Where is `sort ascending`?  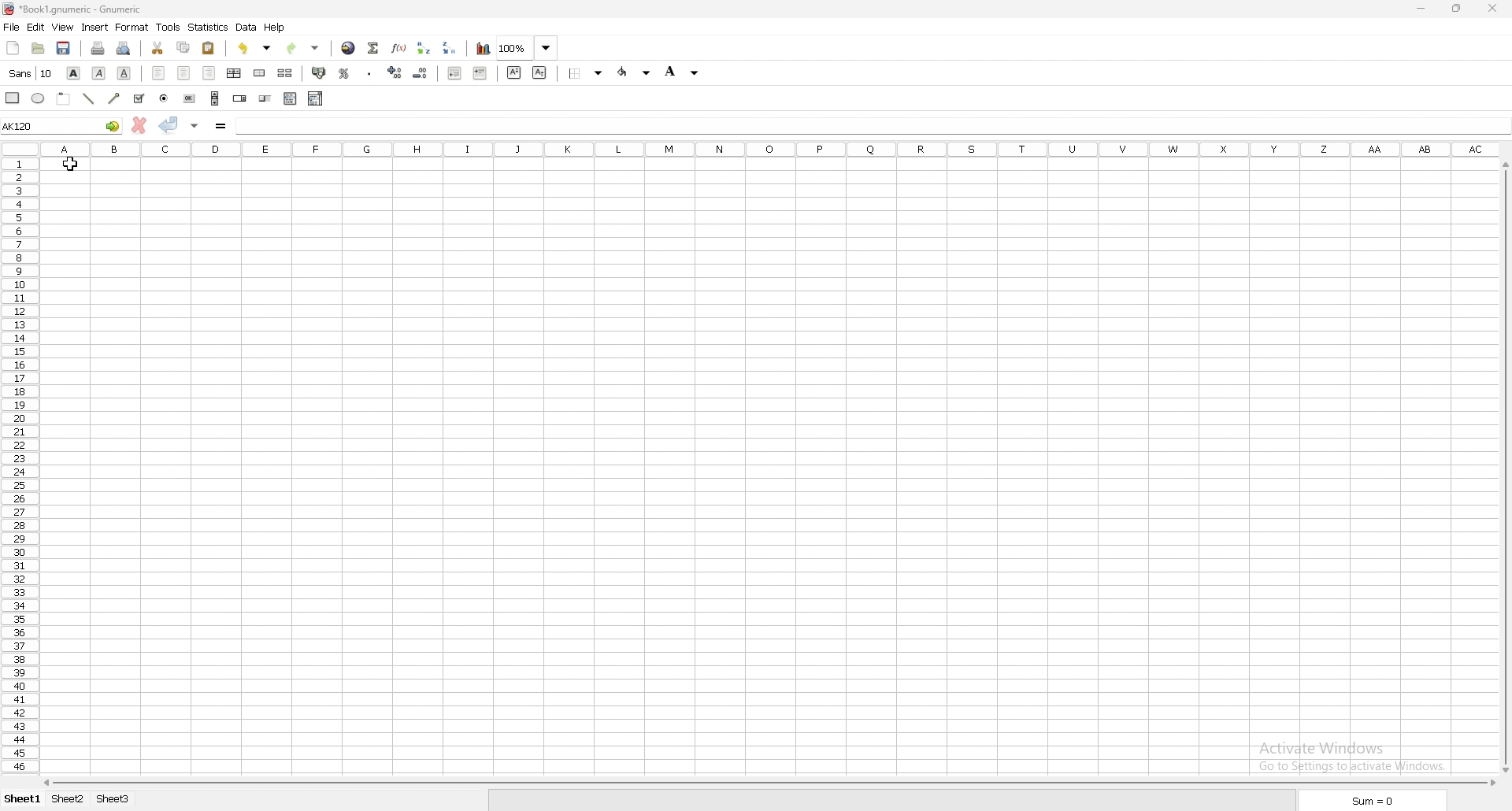
sort ascending is located at coordinates (421, 48).